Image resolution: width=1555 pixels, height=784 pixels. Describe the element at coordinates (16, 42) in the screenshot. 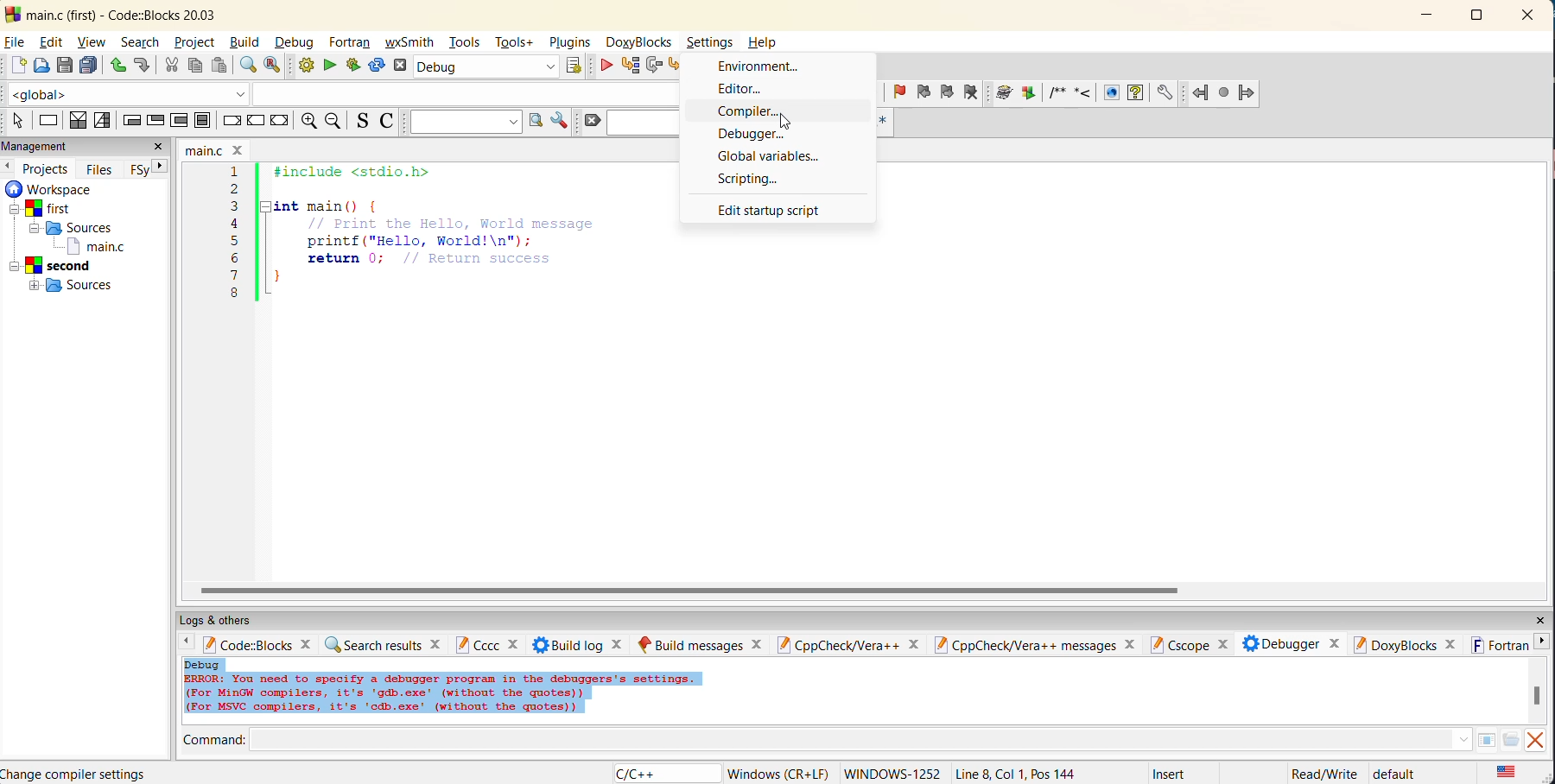

I see `file` at that location.